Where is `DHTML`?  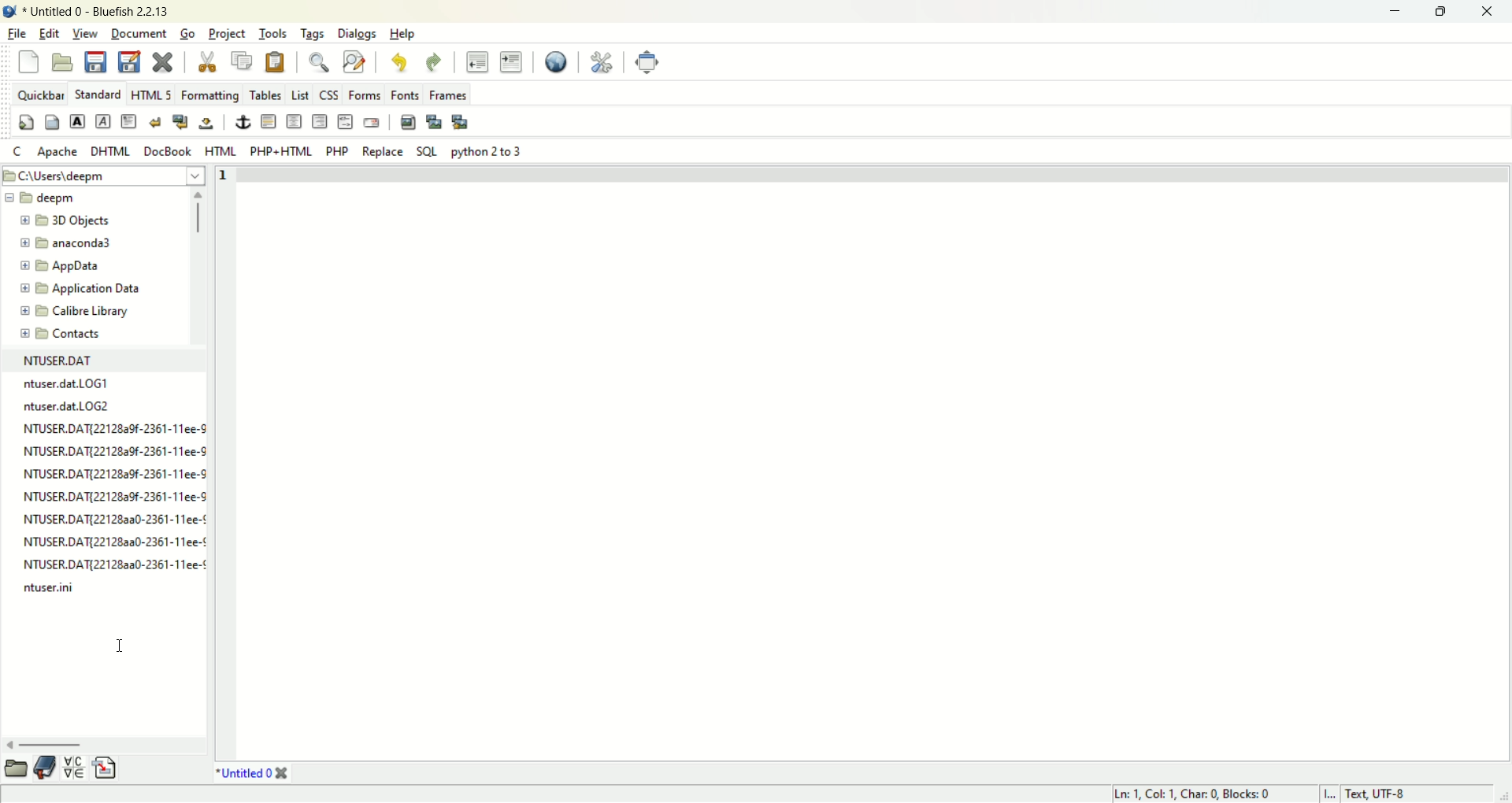
DHTML is located at coordinates (111, 152).